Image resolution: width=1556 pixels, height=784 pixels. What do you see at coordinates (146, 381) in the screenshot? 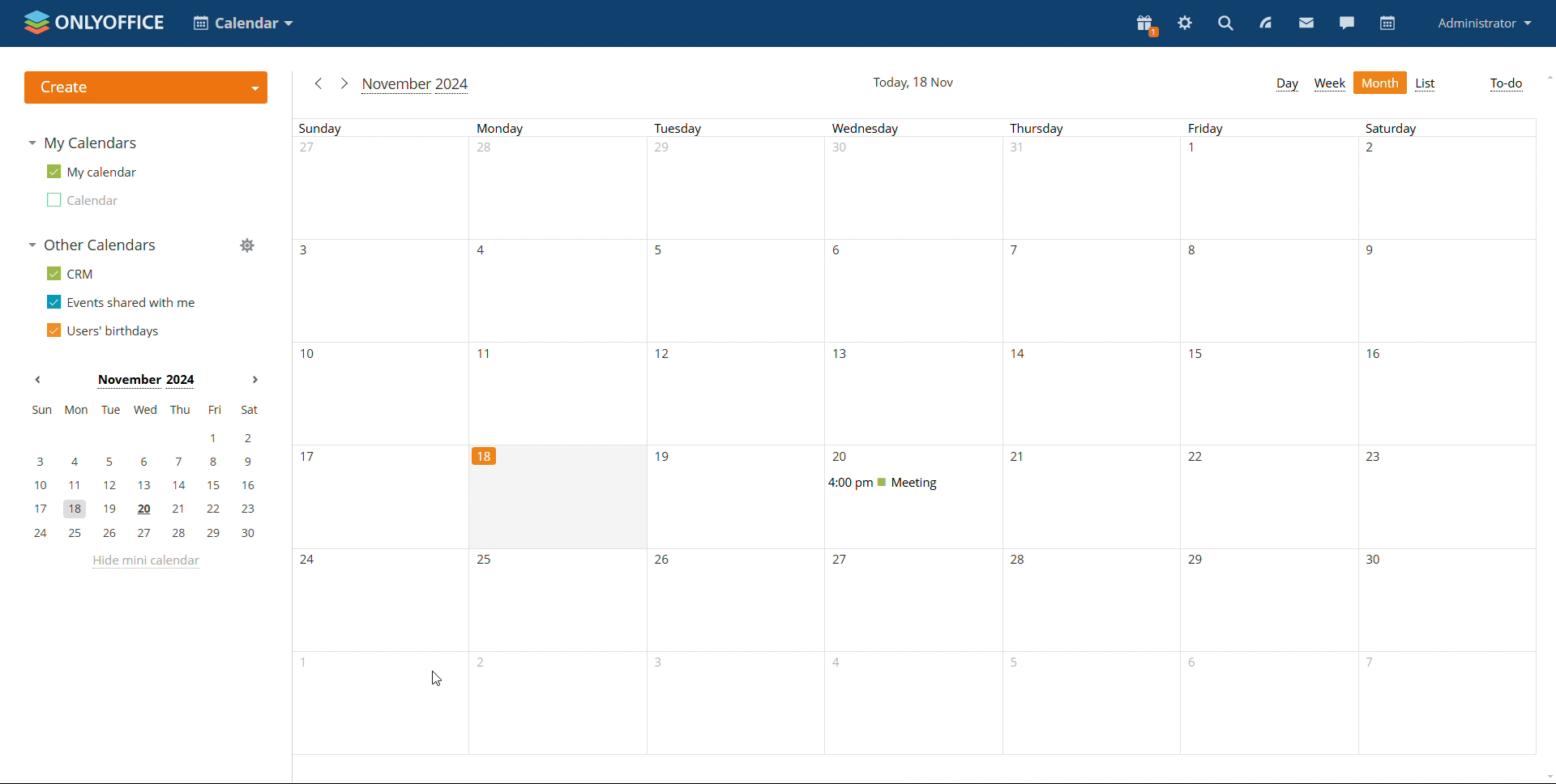
I see `month on display` at bounding box center [146, 381].